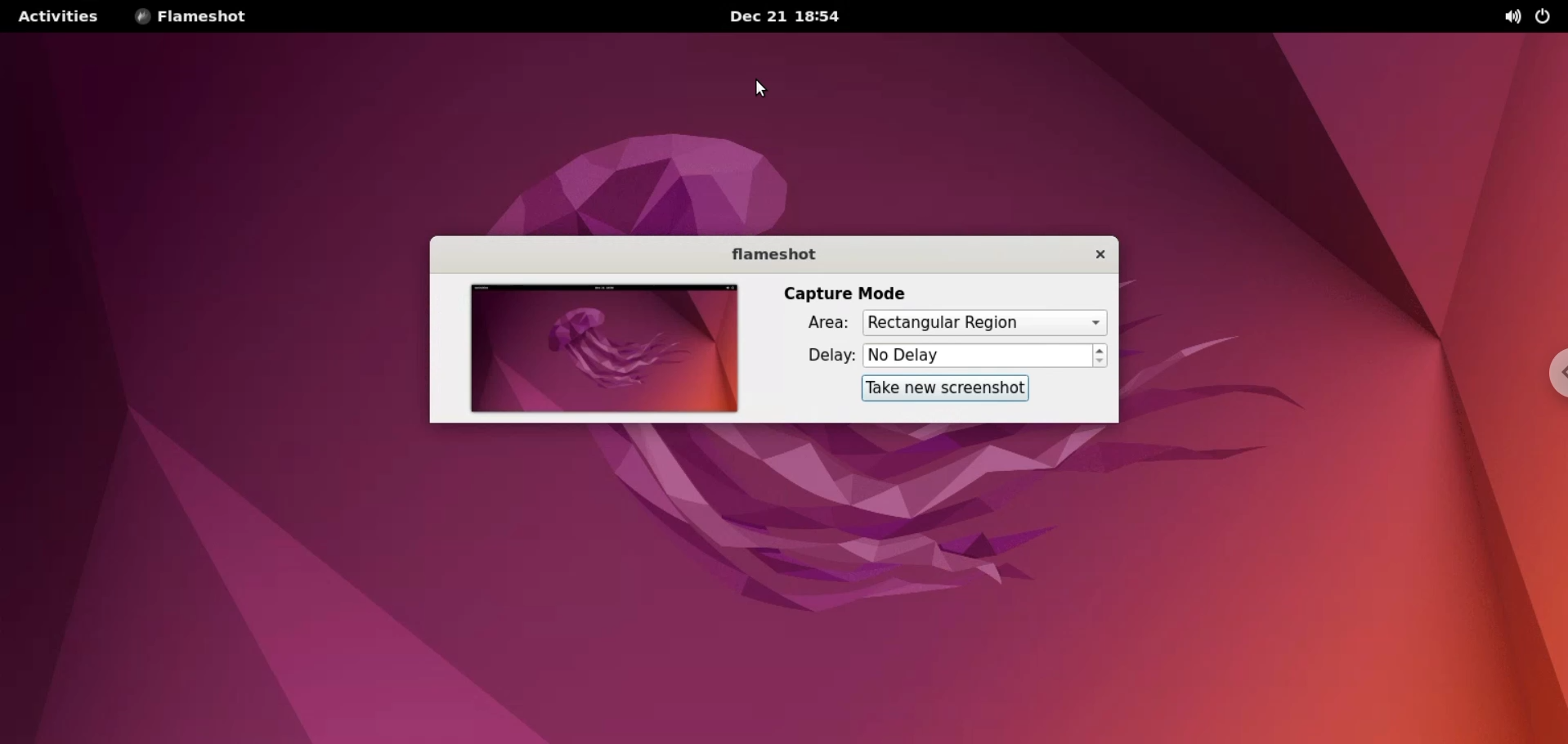 Image resolution: width=1568 pixels, height=744 pixels. Describe the element at coordinates (1550, 372) in the screenshot. I see `chrome options` at that location.